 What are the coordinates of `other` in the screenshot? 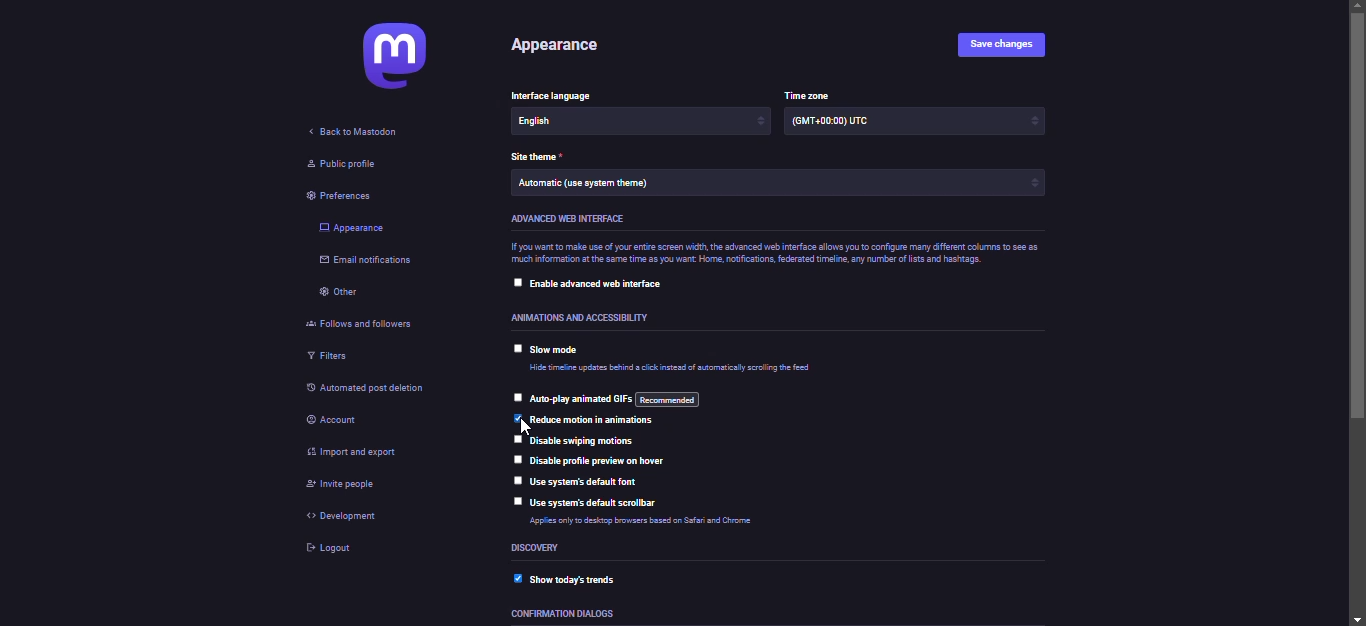 It's located at (342, 293).